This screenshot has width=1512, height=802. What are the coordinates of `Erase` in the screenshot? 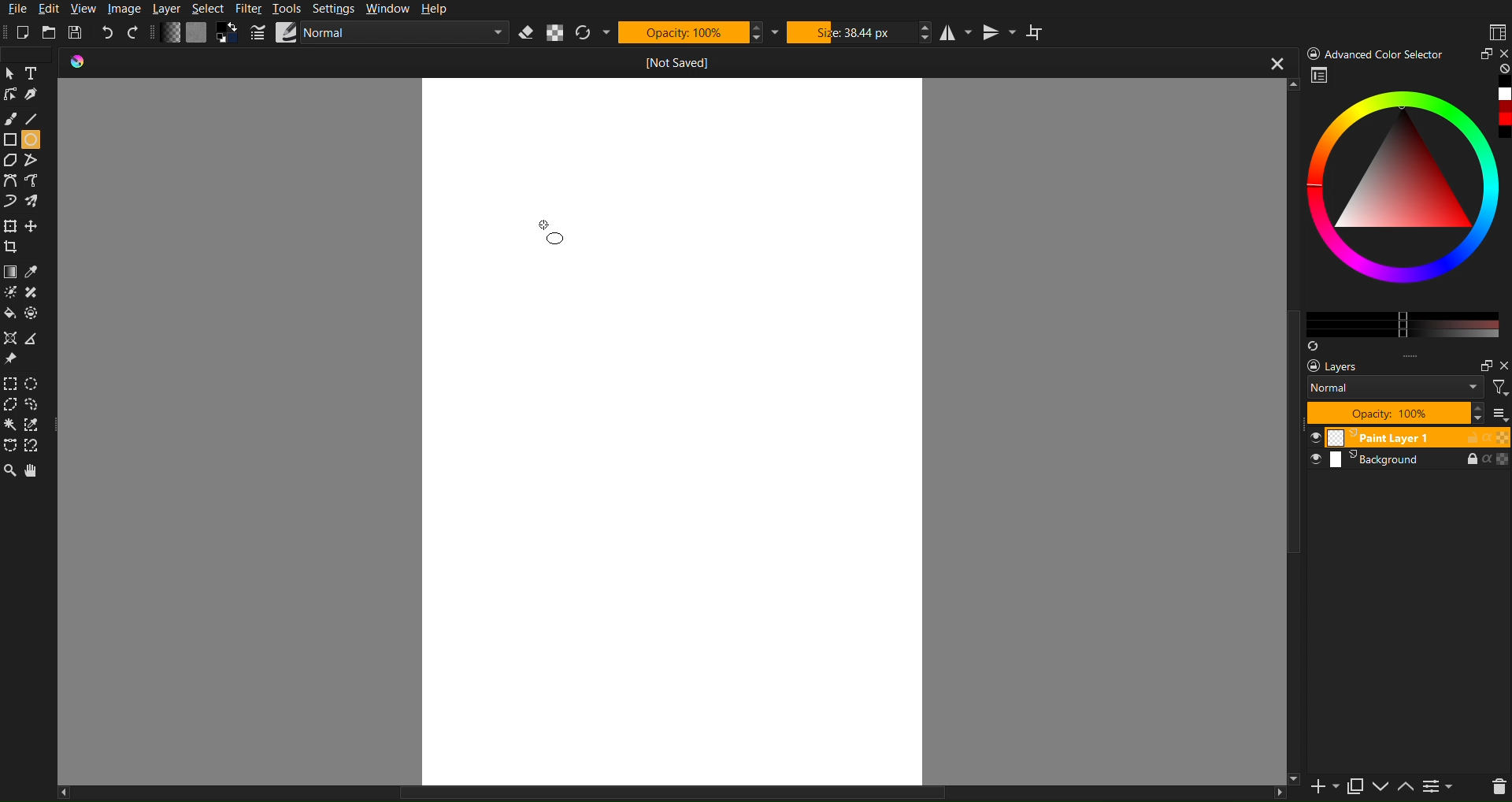 It's located at (524, 32).